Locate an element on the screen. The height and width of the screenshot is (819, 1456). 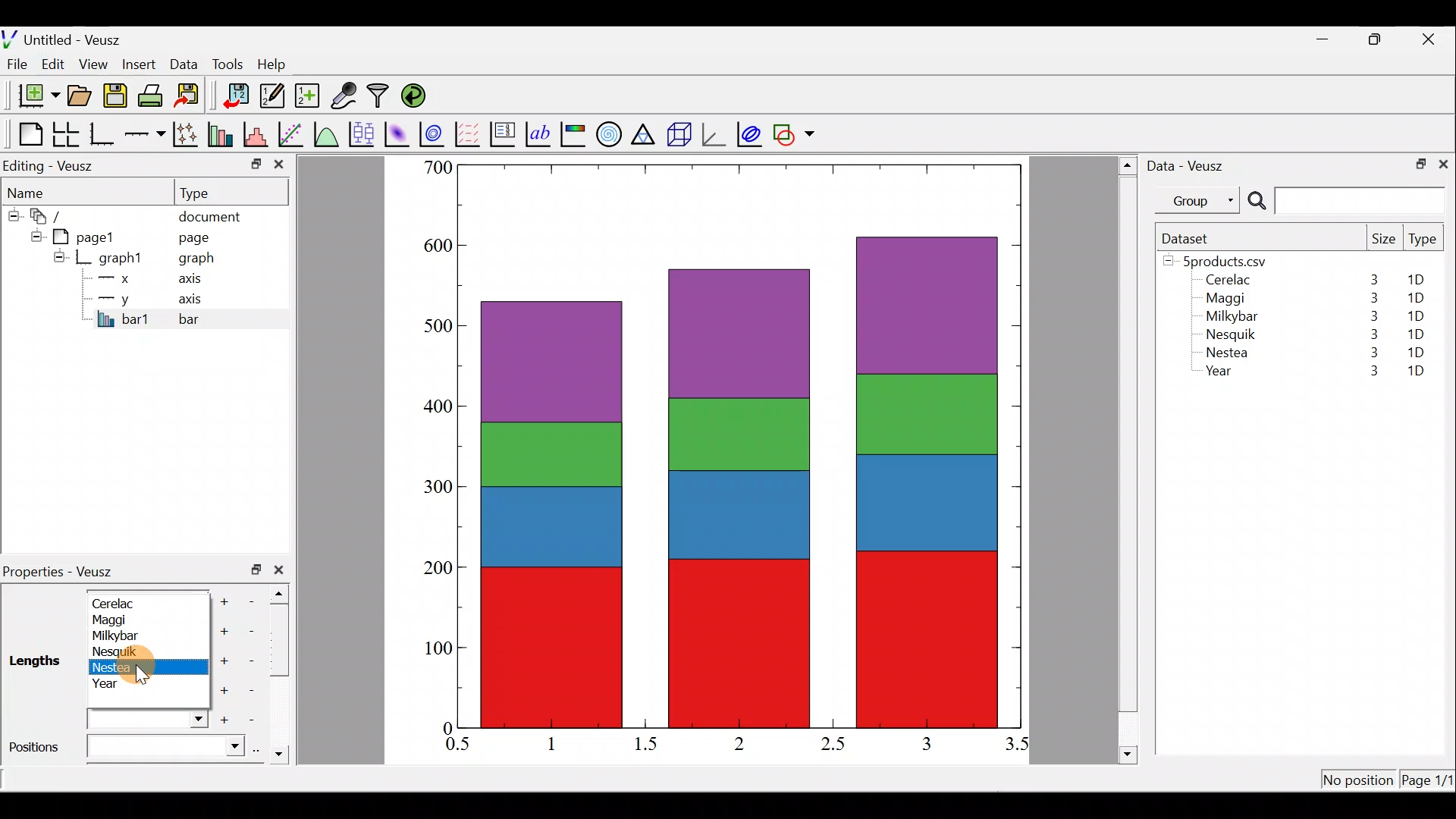
Print the document is located at coordinates (155, 95).